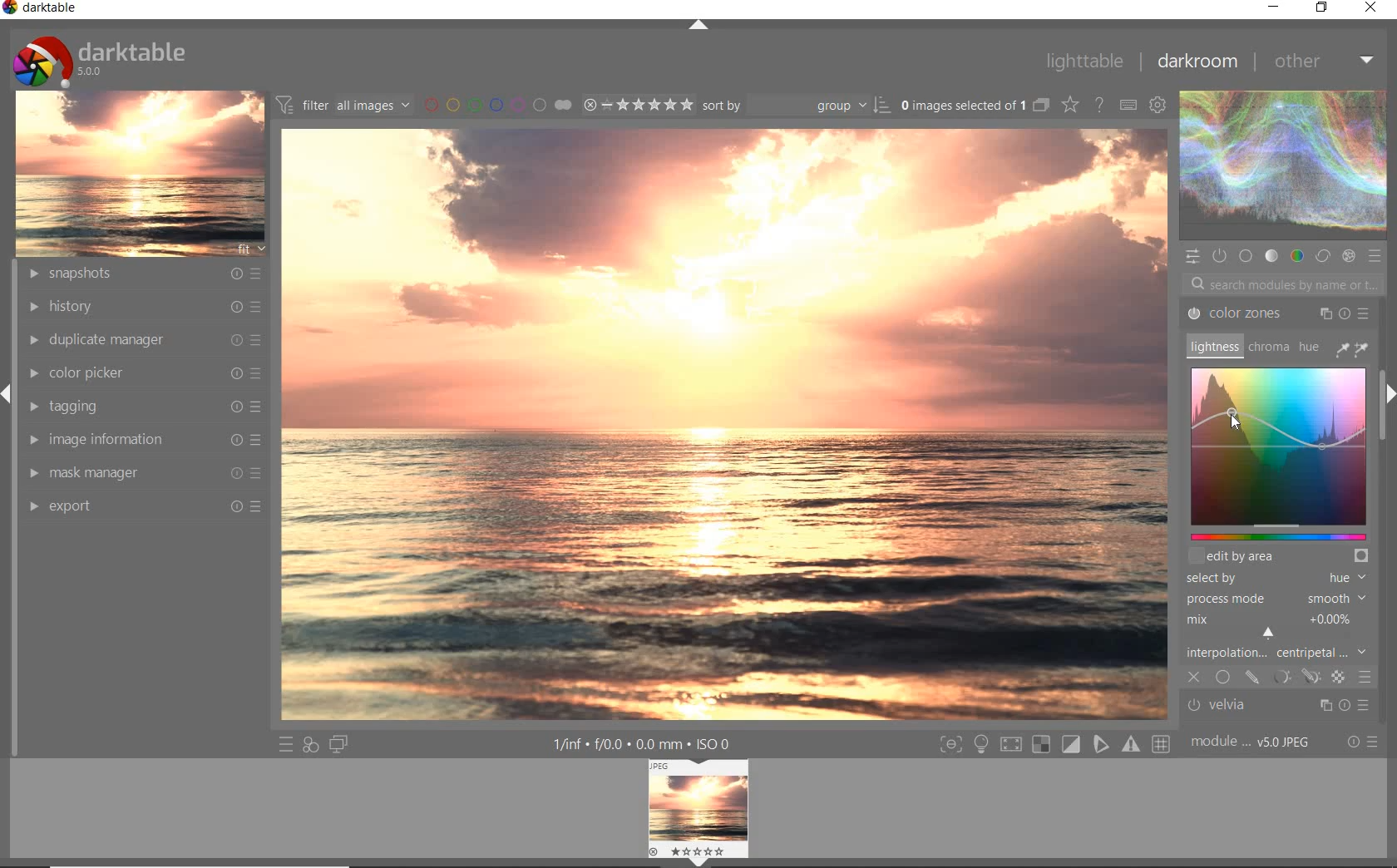 The image size is (1397, 868). Describe the element at coordinates (1195, 678) in the screenshot. I see `CLOSE` at that location.